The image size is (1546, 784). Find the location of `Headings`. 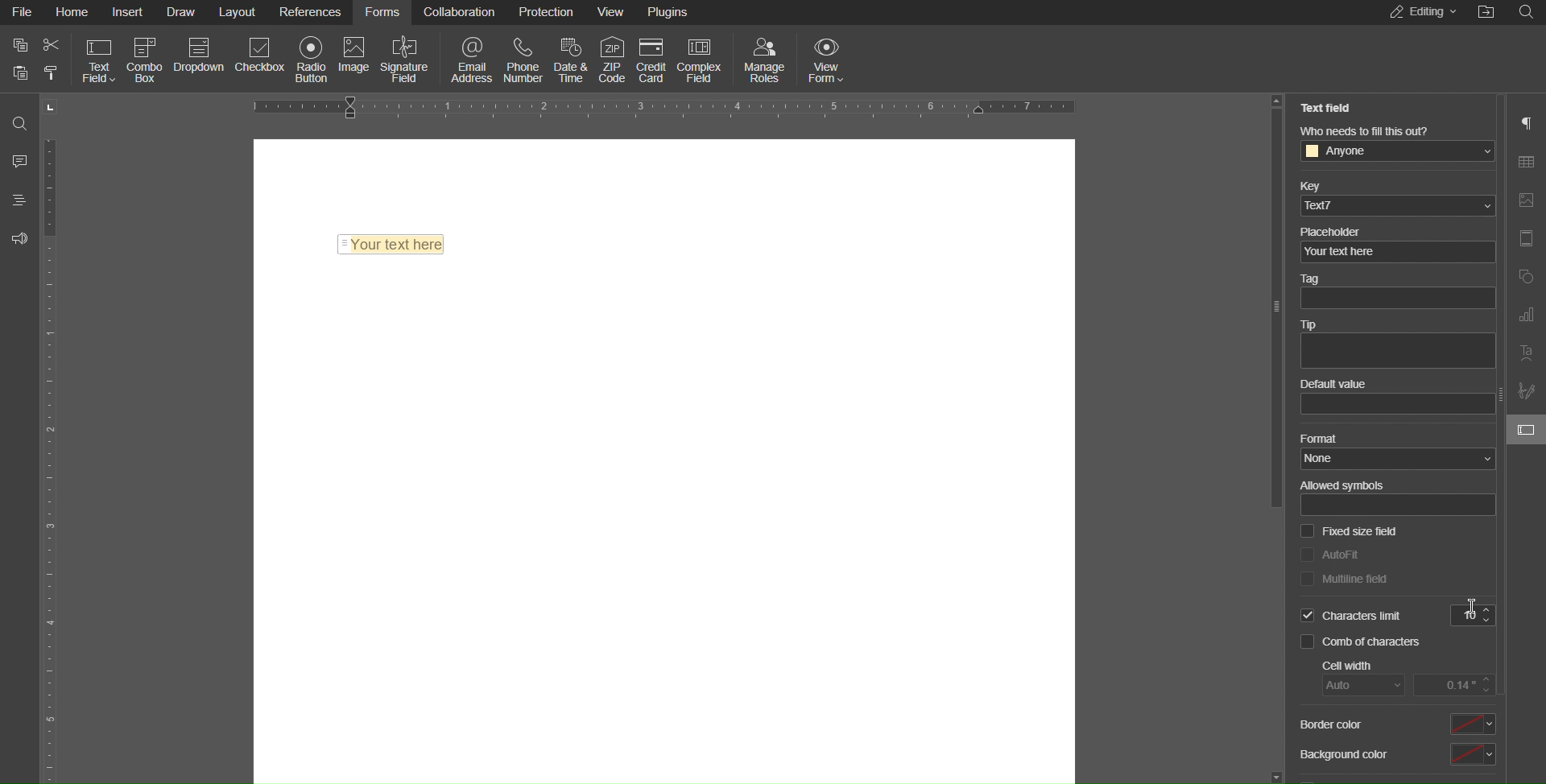

Headings is located at coordinates (16, 200).